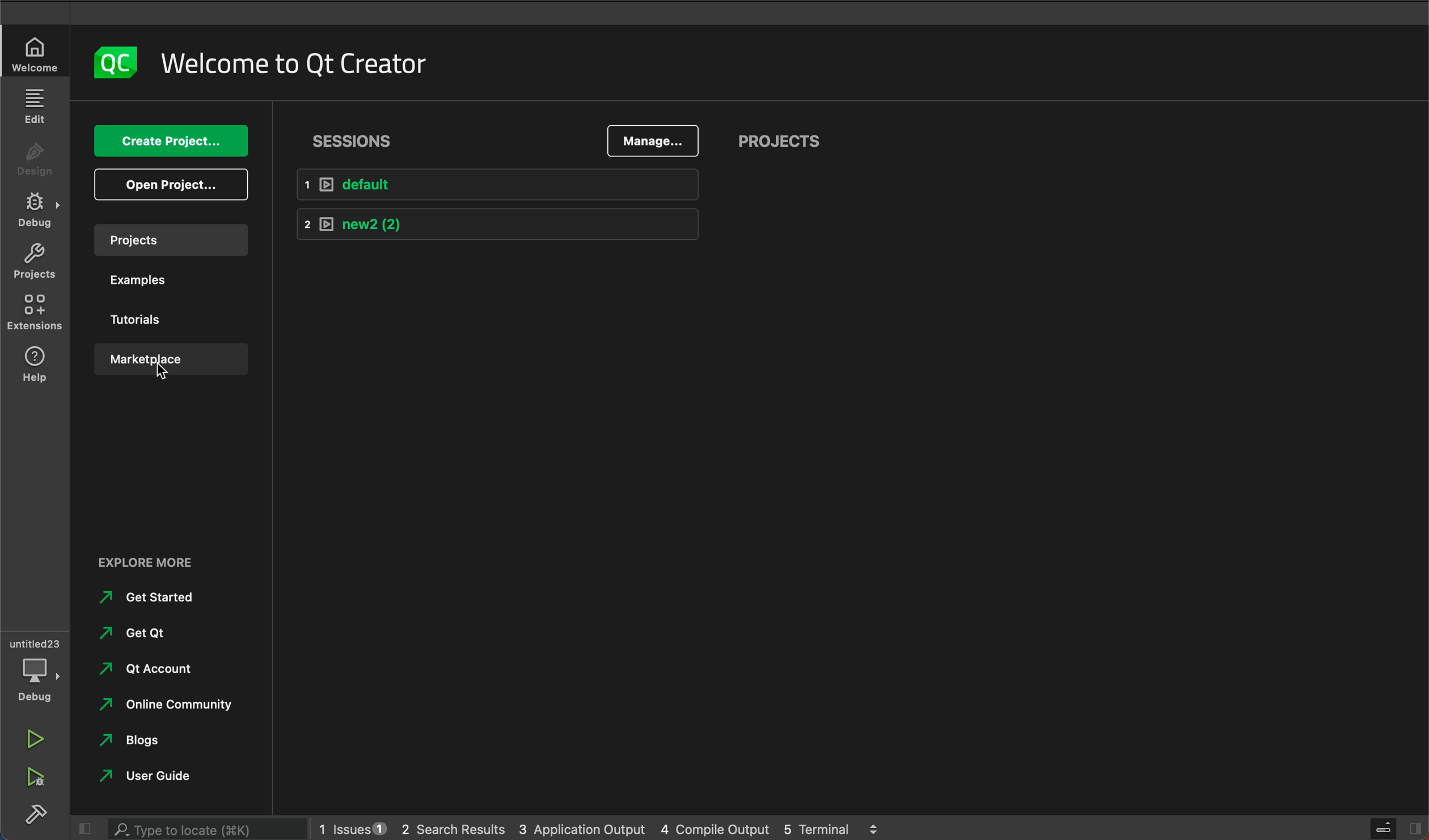  I want to click on build, so click(39, 816).